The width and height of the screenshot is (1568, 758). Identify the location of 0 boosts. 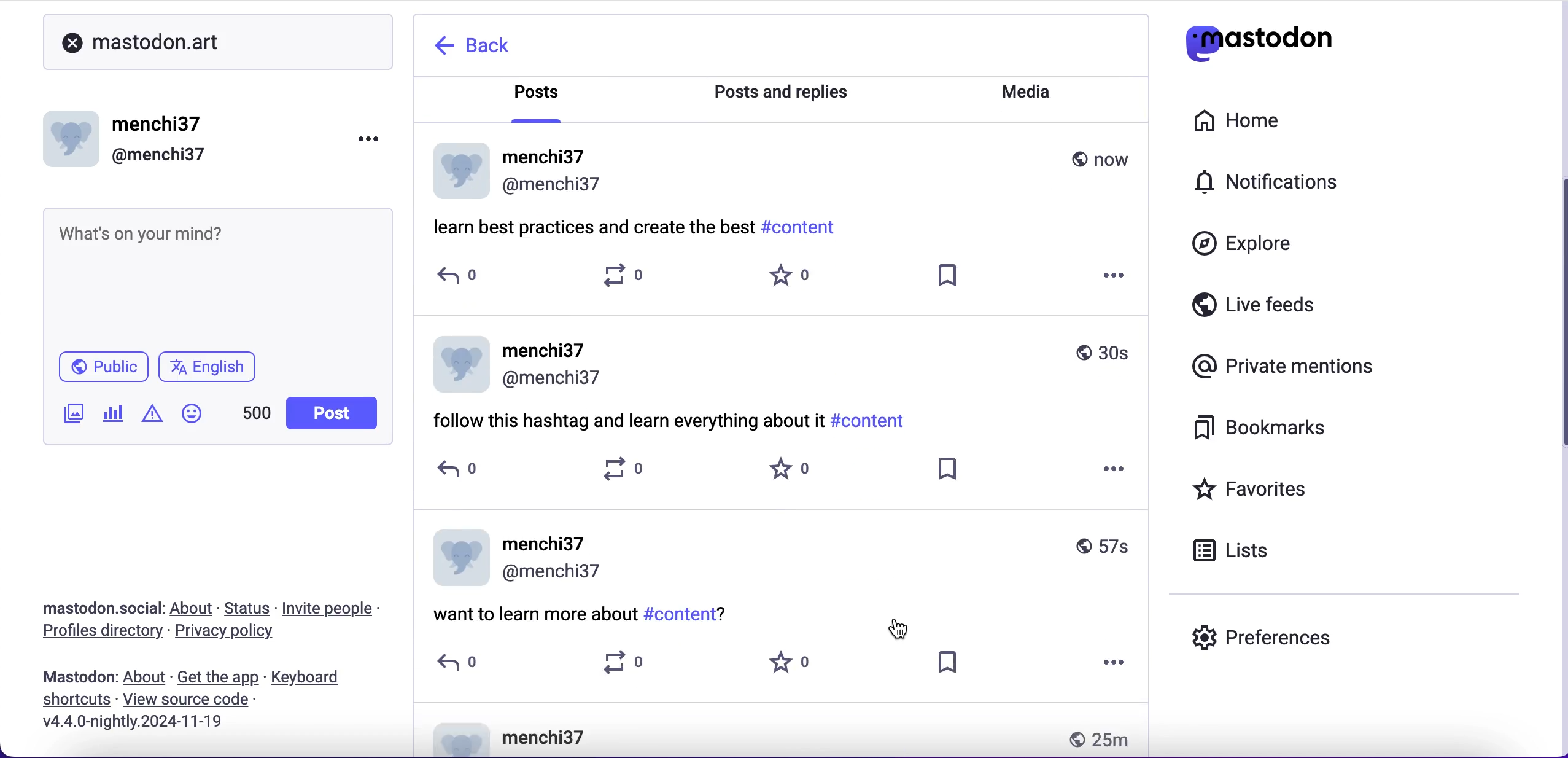
(632, 670).